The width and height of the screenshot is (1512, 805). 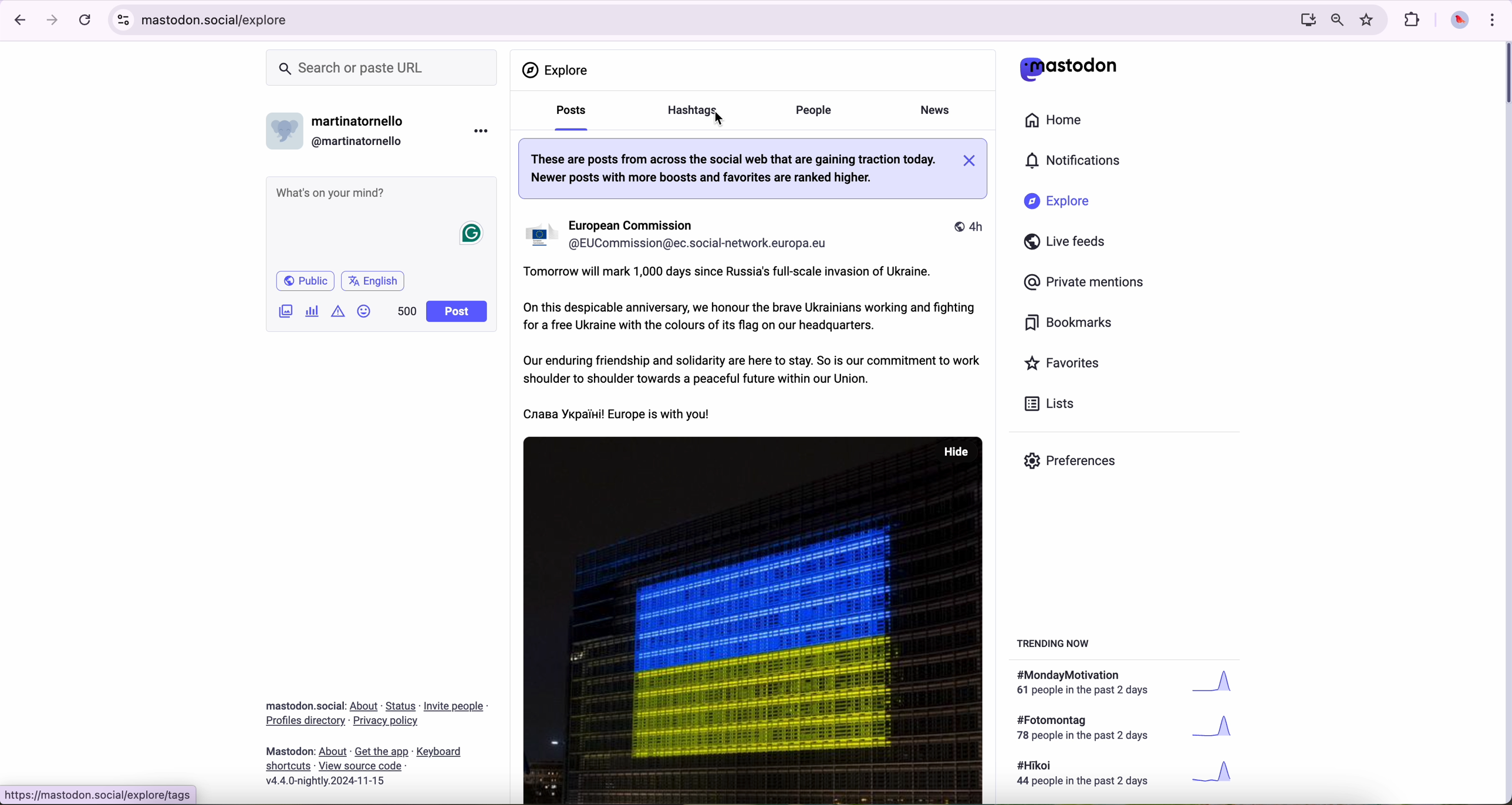 What do you see at coordinates (406, 312) in the screenshot?
I see `500` at bounding box center [406, 312].